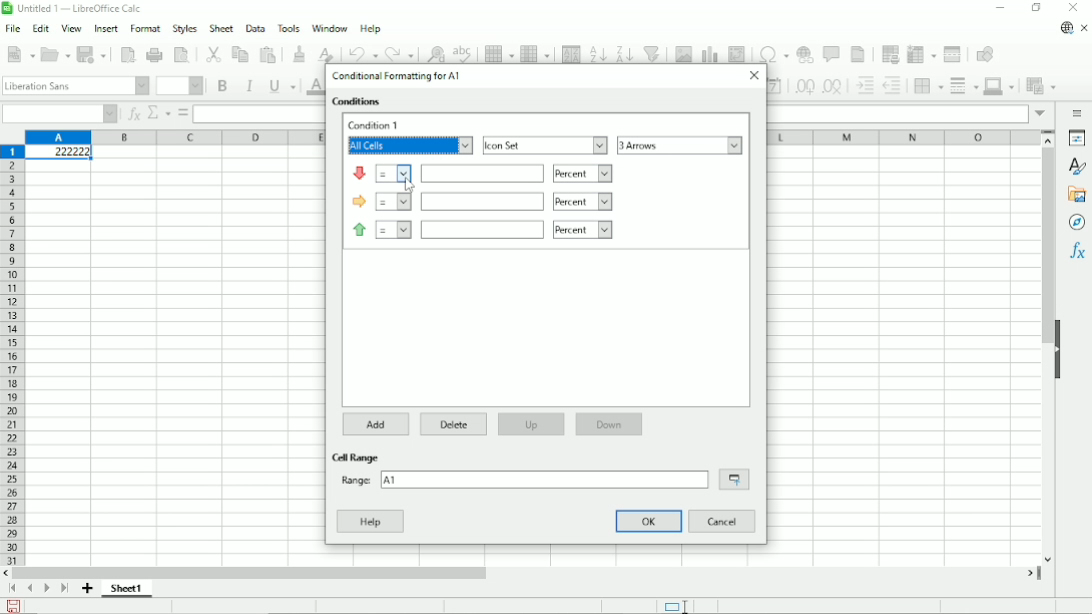 Image resolution: width=1092 pixels, height=614 pixels. I want to click on icon condition, so click(449, 201).